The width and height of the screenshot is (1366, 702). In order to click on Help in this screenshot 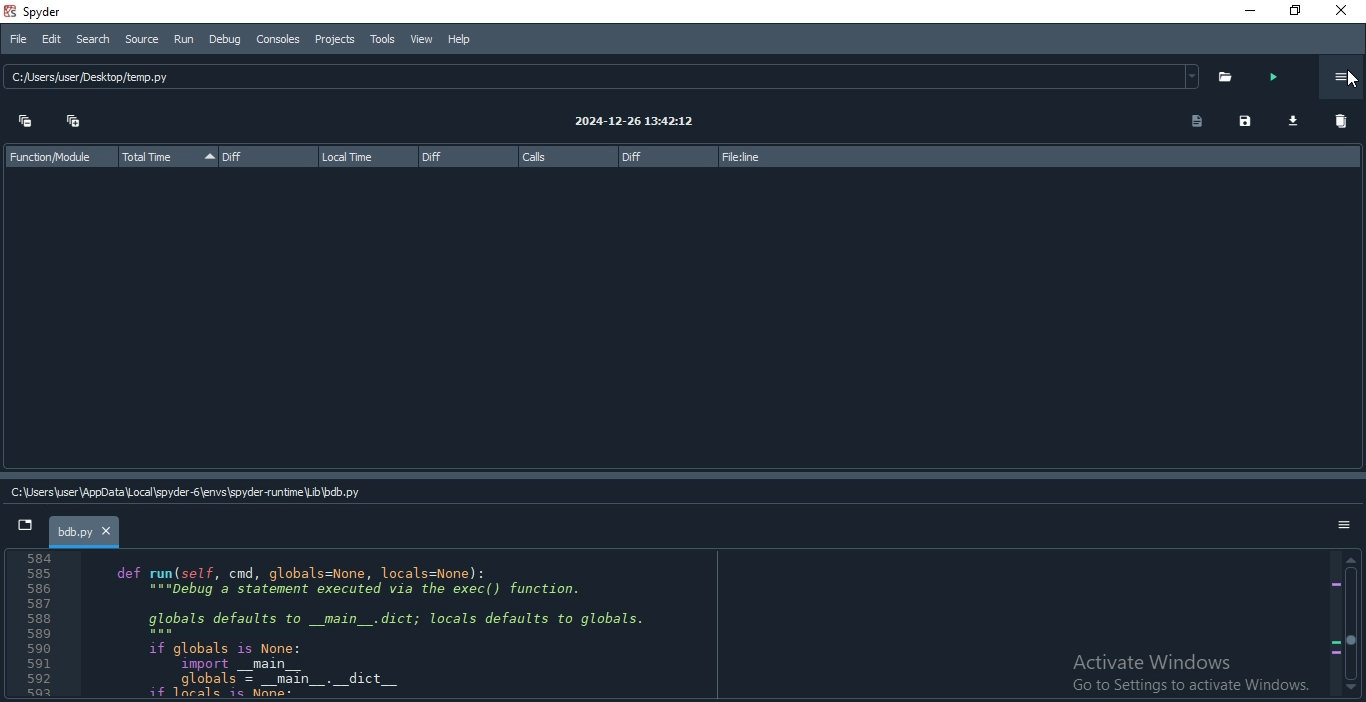, I will do `click(458, 38)`.